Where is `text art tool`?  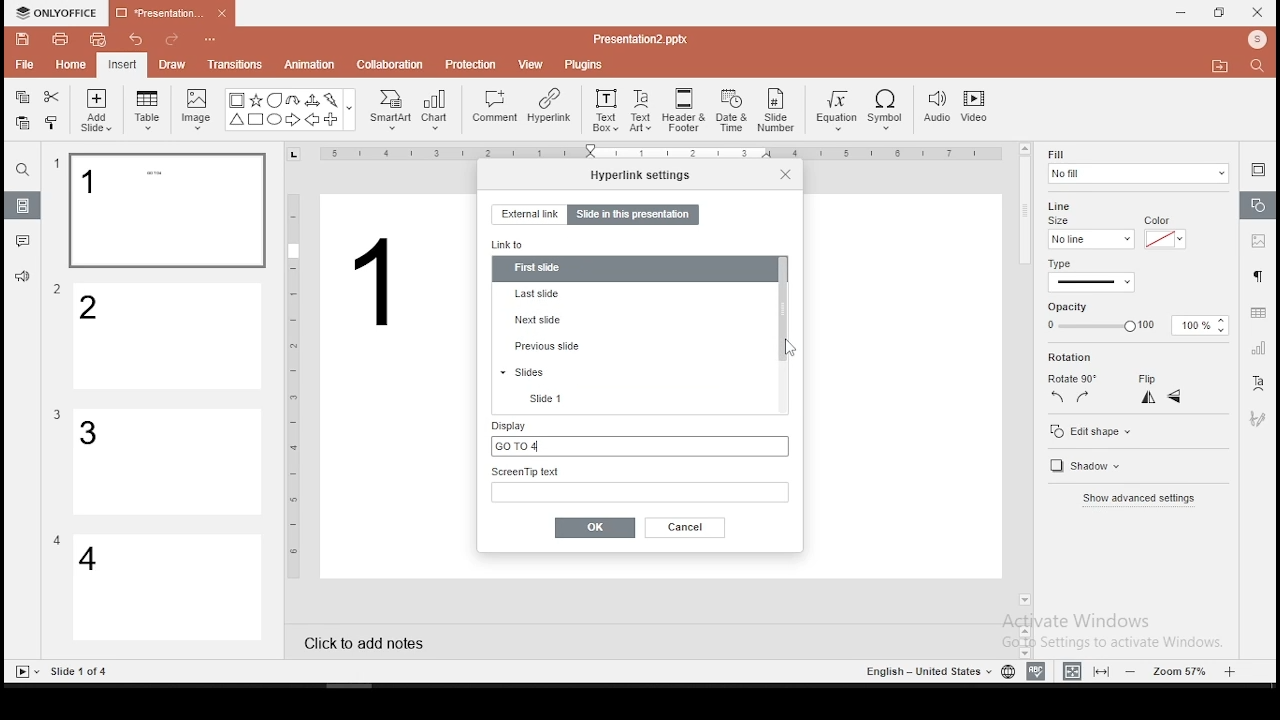 text art tool is located at coordinates (1257, 384).